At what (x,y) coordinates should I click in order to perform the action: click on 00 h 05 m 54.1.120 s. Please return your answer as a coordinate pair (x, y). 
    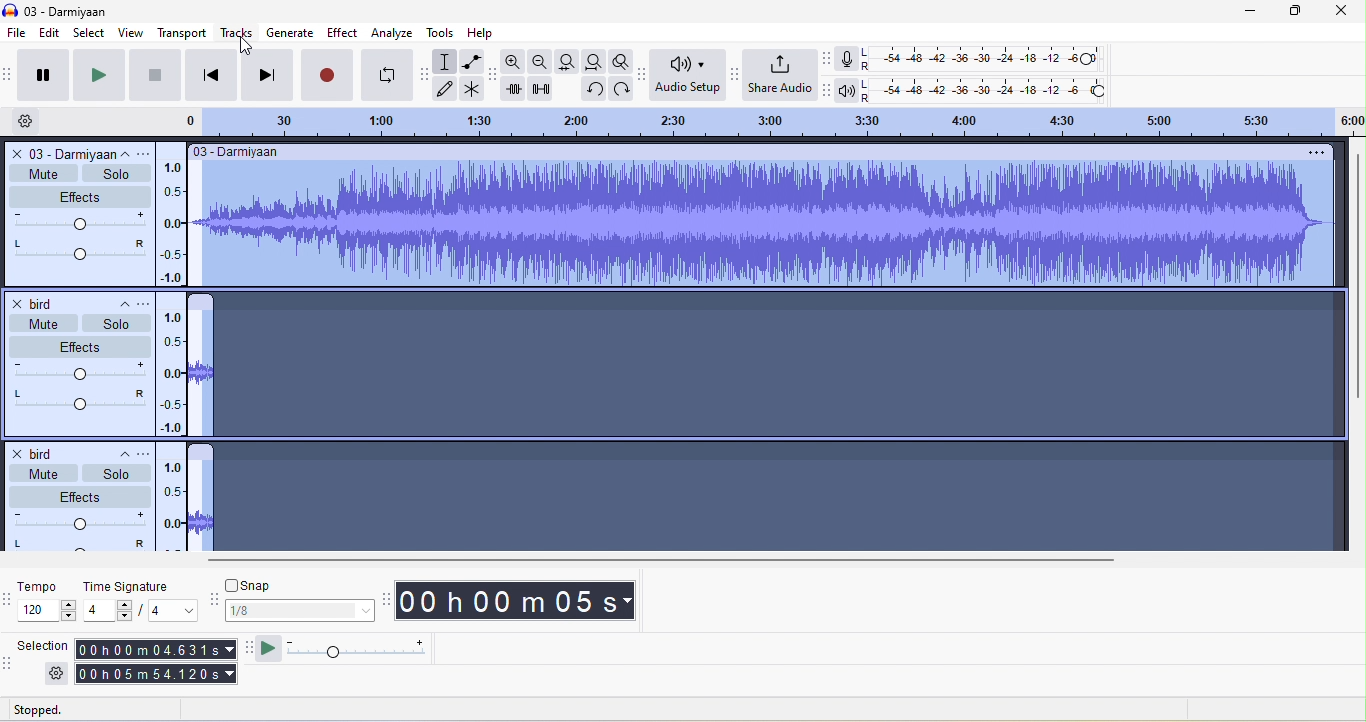
    Looking at the image, I should click on (154, 672).